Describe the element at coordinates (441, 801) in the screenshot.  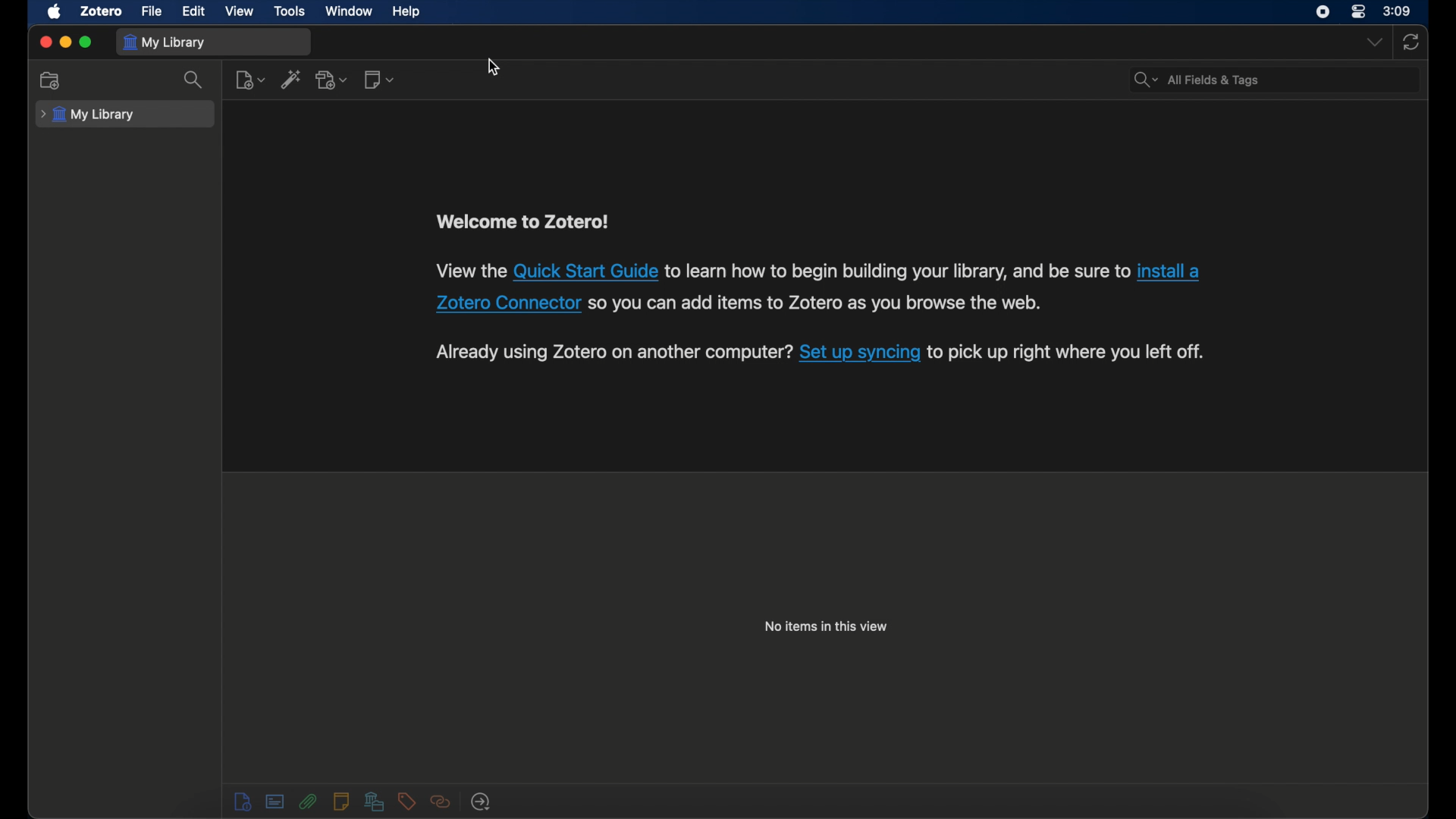
I see `related` at that location.